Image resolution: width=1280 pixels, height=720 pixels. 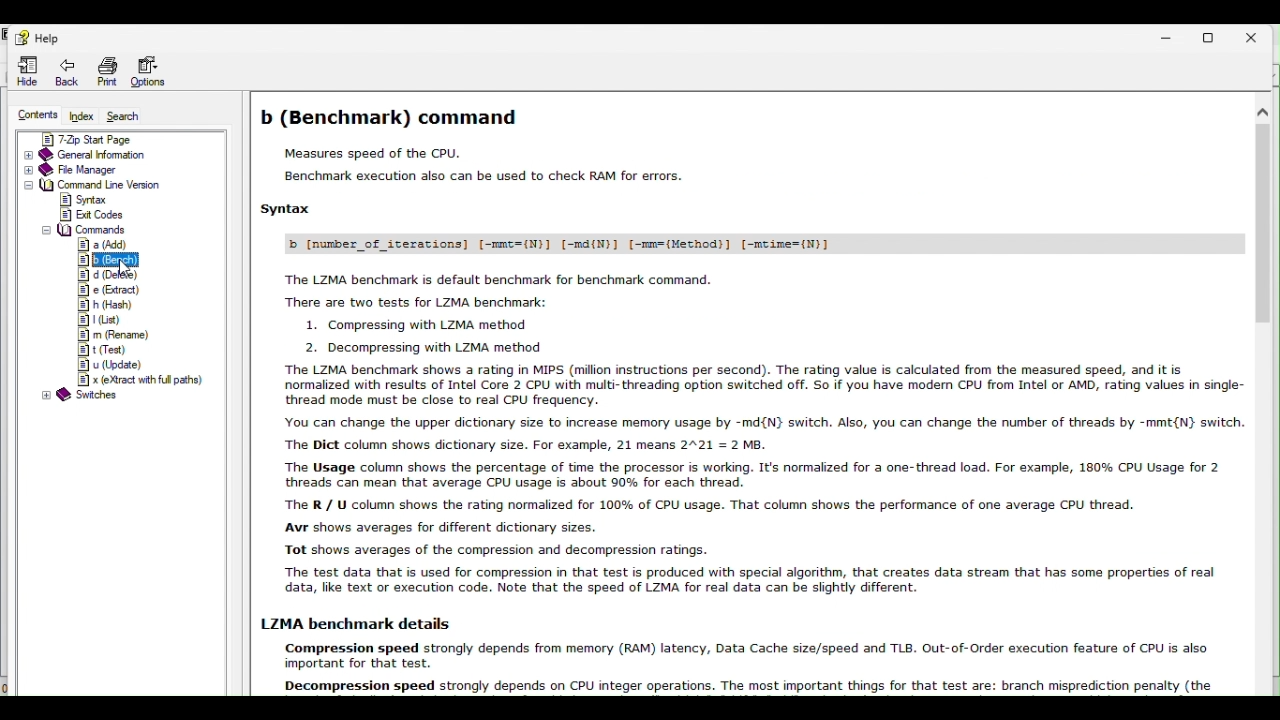 What do you see at coordinates (1260, 37) in the screenshot?
I see `Close` at bounding box center [1260, 37].